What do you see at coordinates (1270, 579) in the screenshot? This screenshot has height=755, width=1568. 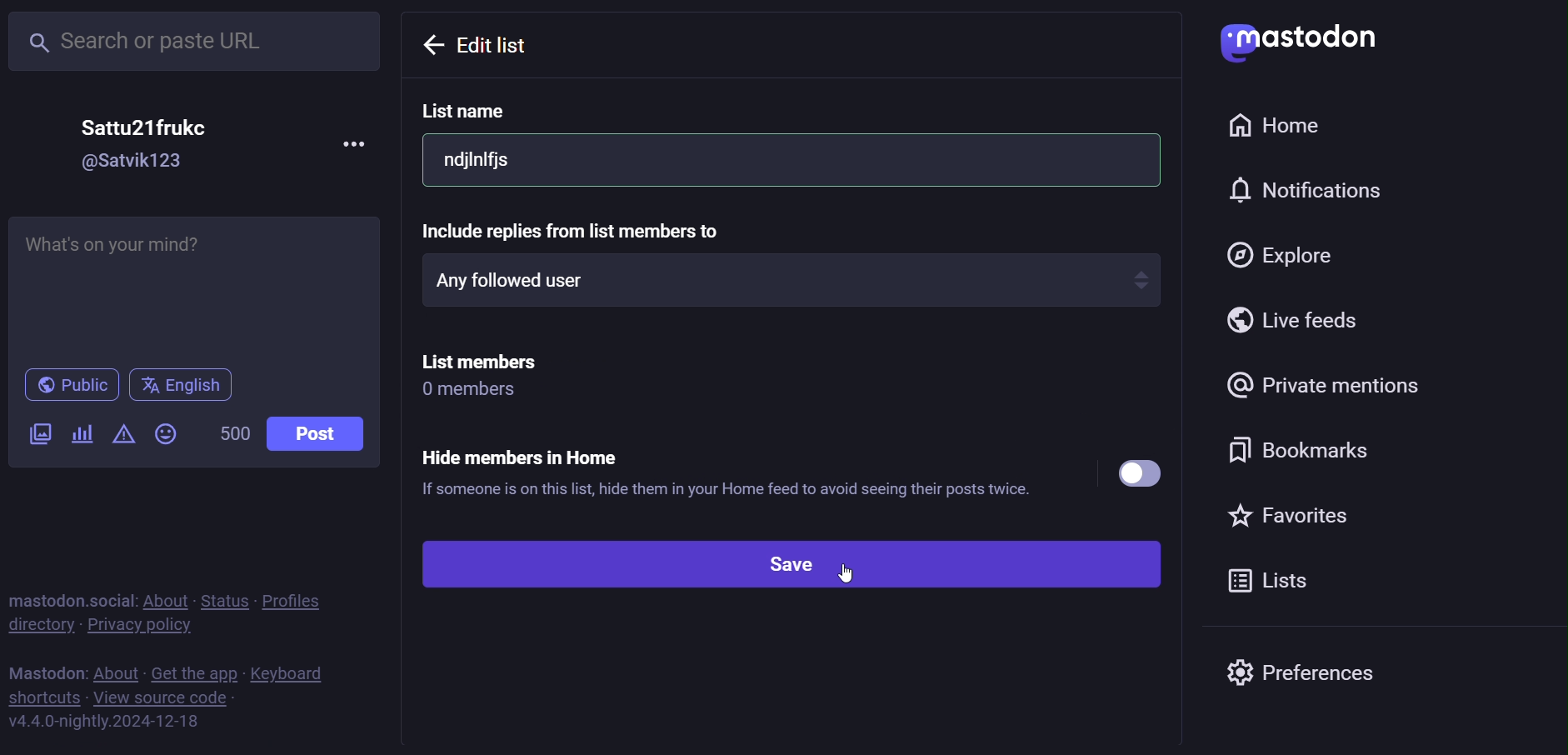 I see `list` at bounding box center [1270, 579].